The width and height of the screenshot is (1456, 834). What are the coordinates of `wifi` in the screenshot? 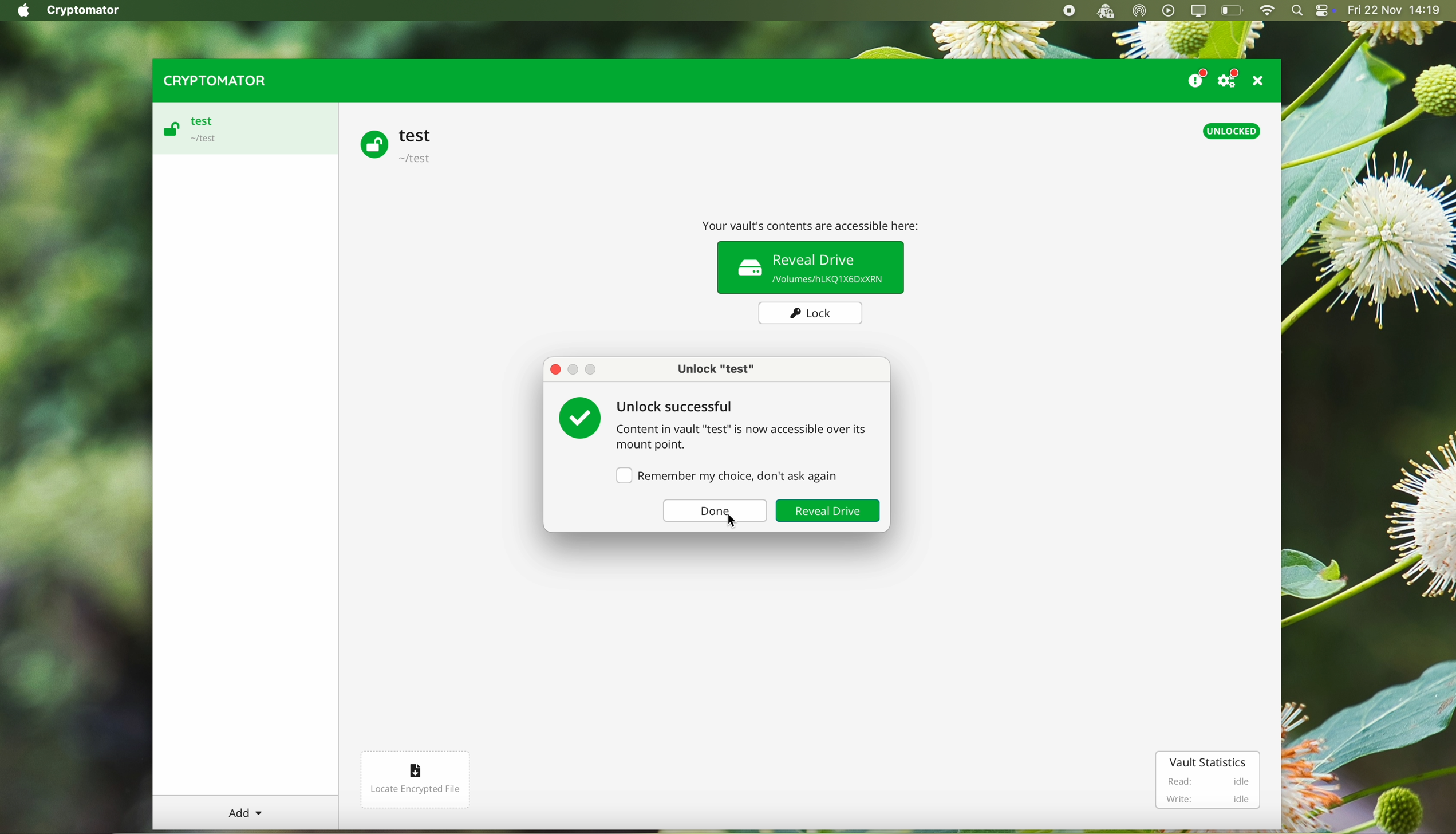 It's located at (1266, 11).